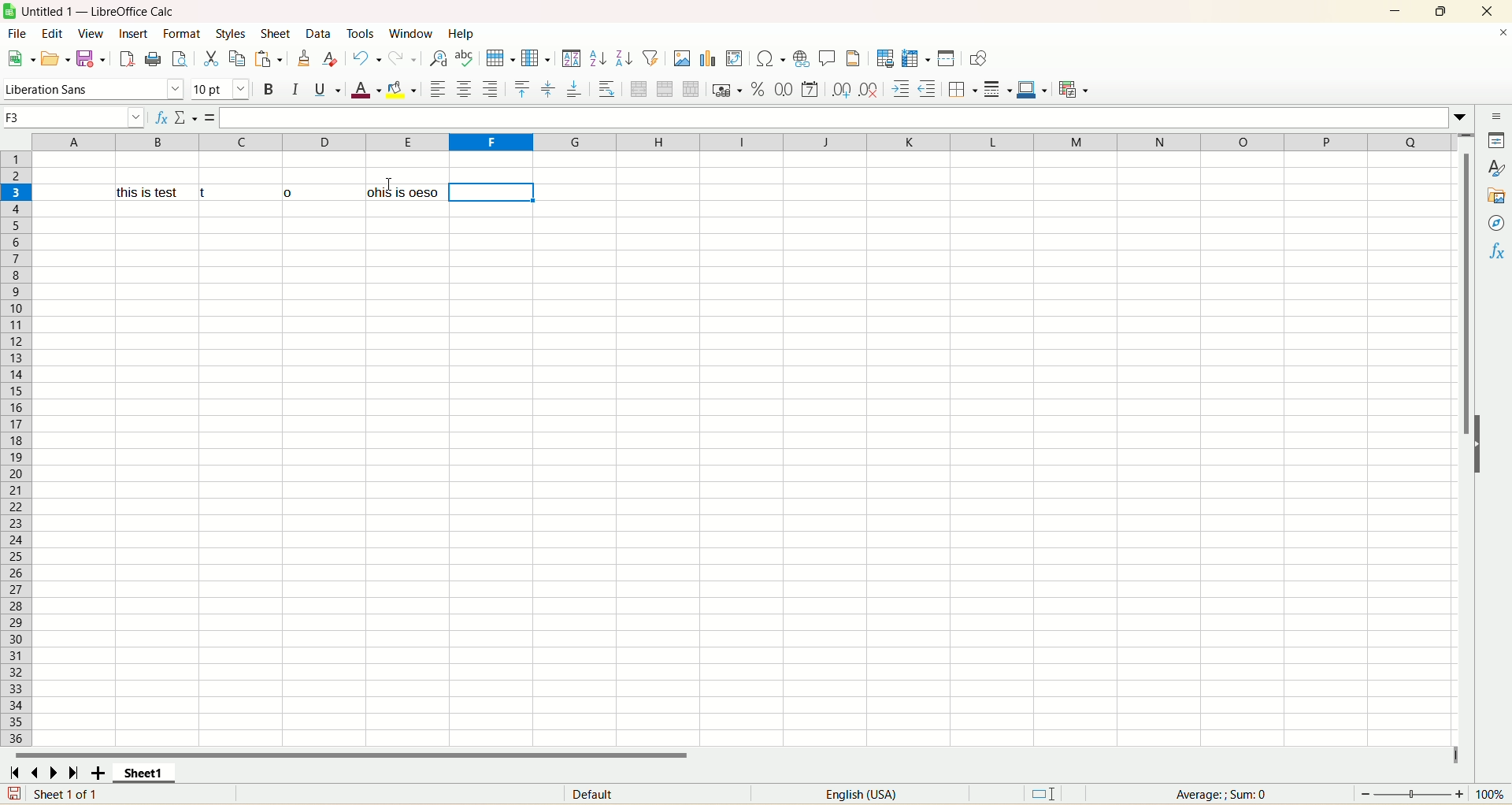 The height and width of the screenshot is (805, 1512). Describe the element at coordinates (124, 57) in the screenshot. I see `export directly as PDF` at that location.